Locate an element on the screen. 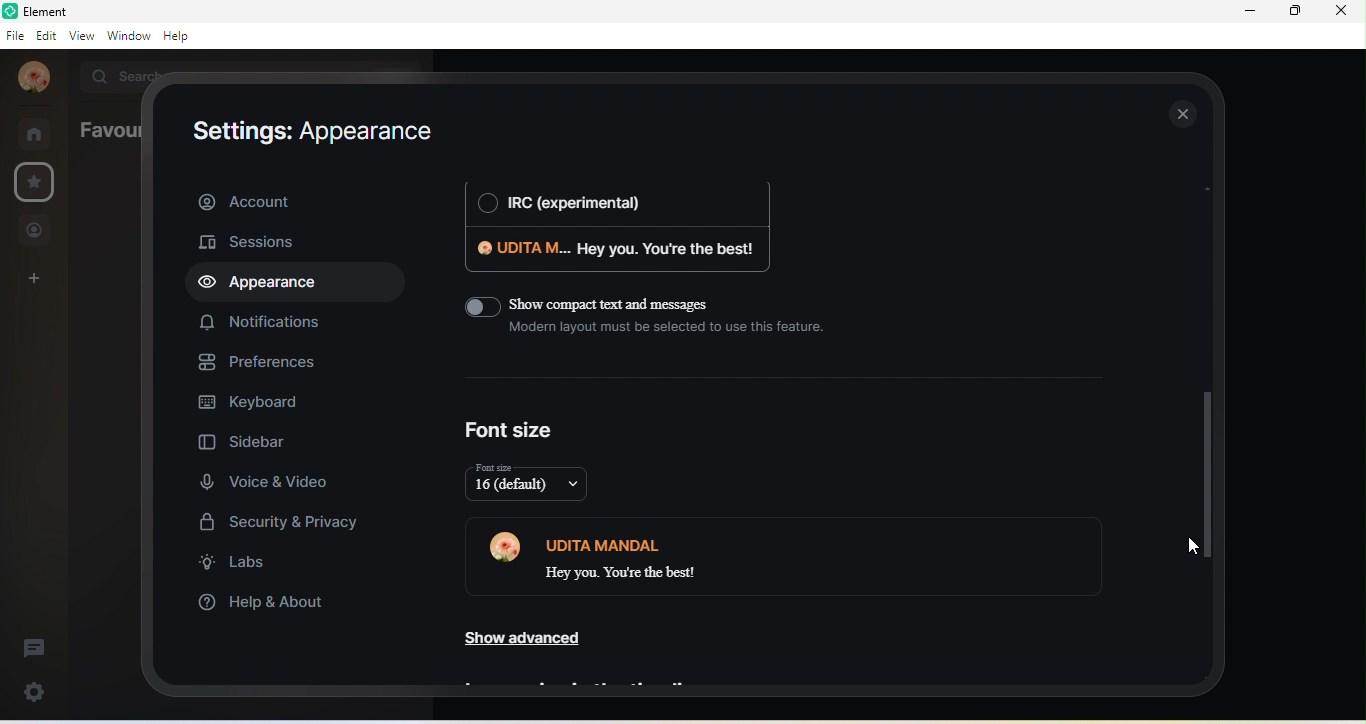  help and about is located at coordinates (261, 605).